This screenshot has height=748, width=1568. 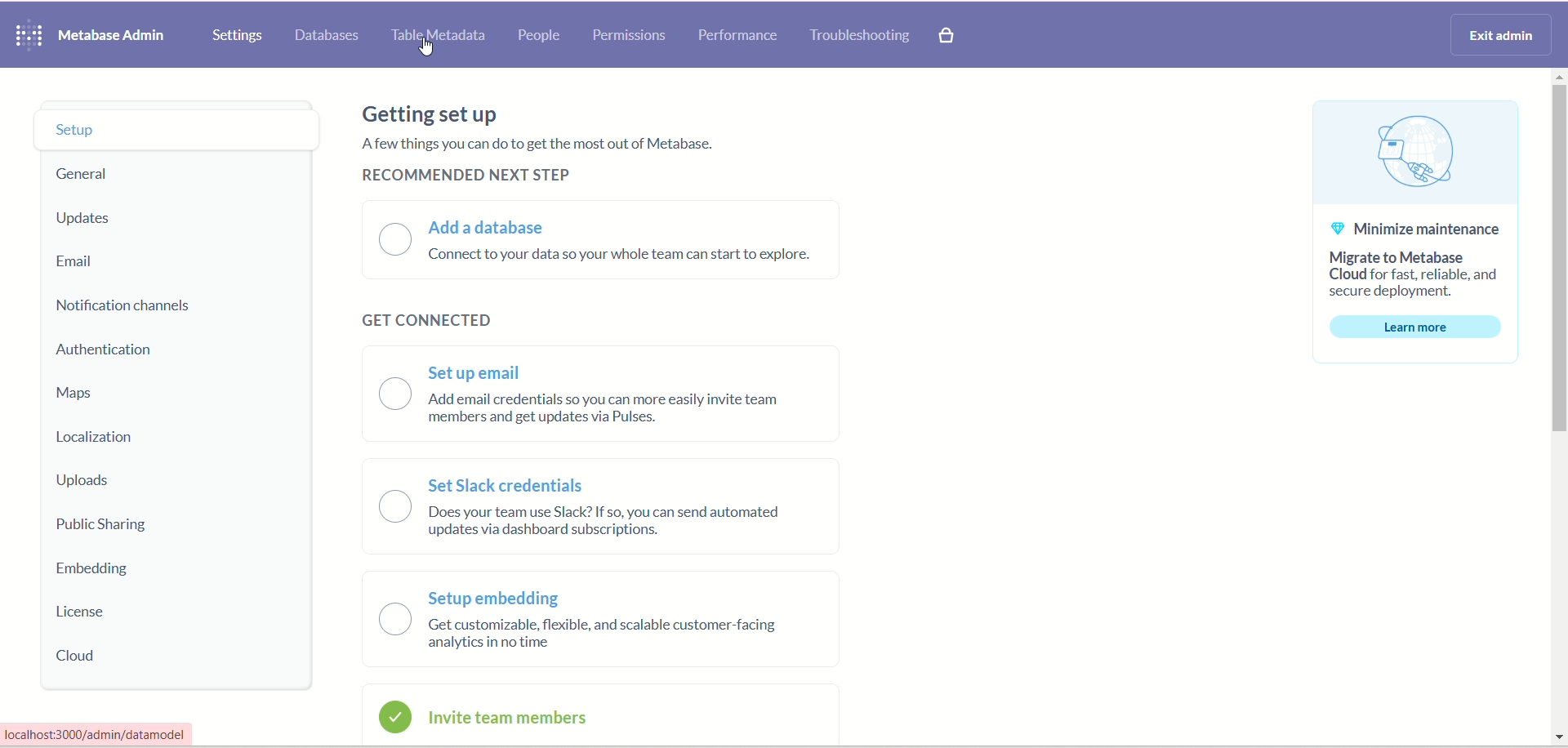 I want to click on updates, so click(x=91, y=216).